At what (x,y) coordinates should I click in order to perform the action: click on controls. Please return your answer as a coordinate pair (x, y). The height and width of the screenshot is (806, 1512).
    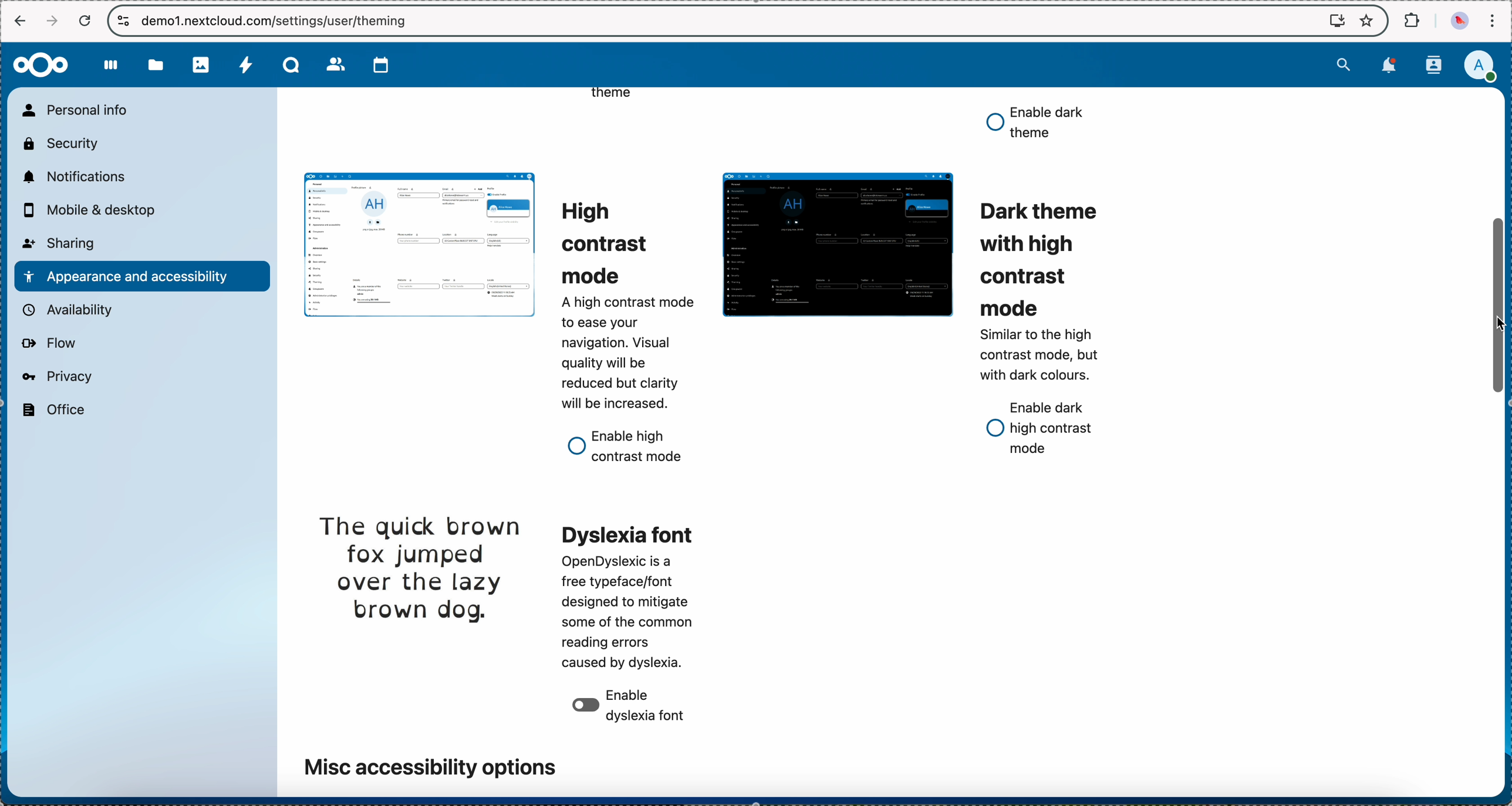
    Looking at the image, I should click on (121, 21).